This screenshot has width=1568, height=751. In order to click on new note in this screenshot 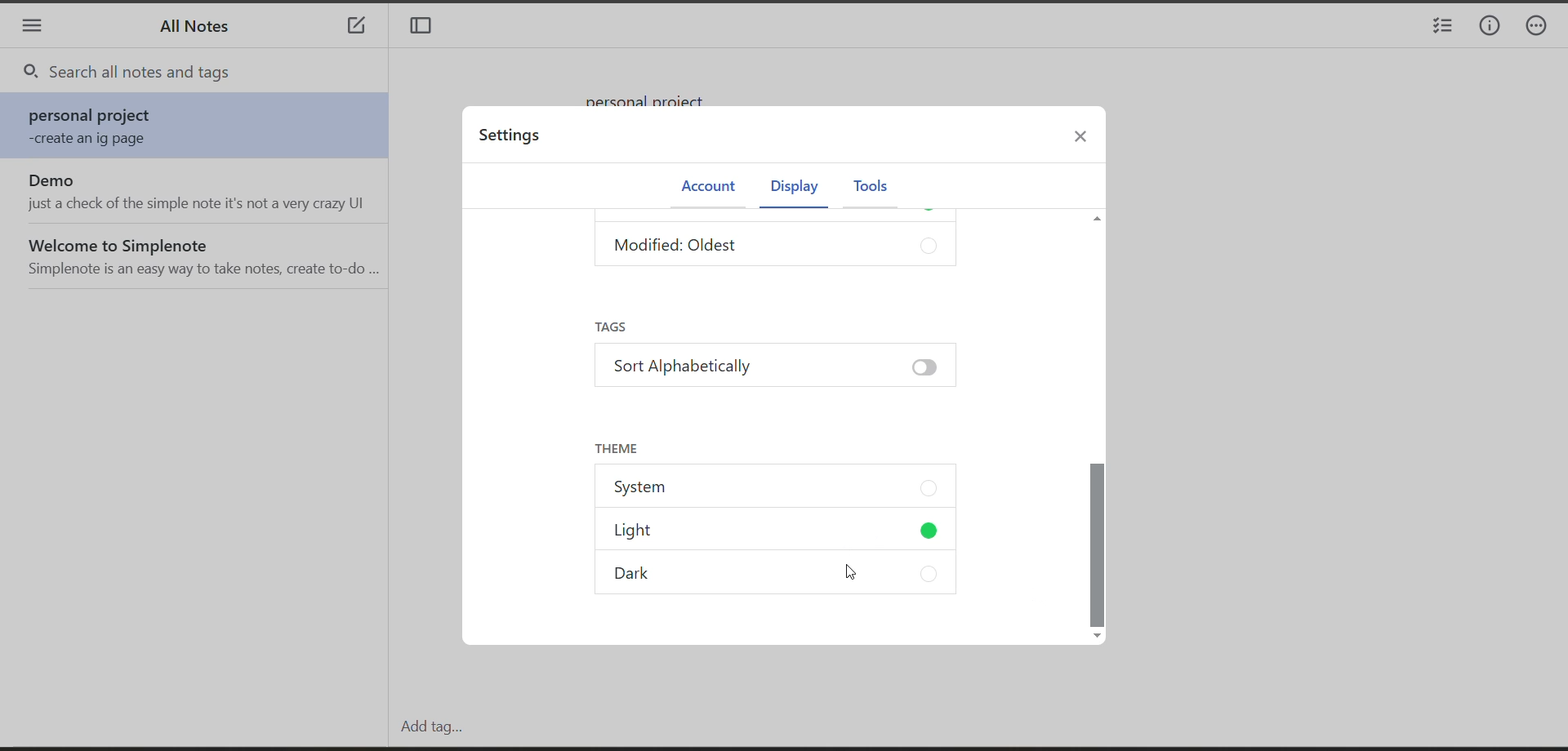, I will do `click(356, 28)`.